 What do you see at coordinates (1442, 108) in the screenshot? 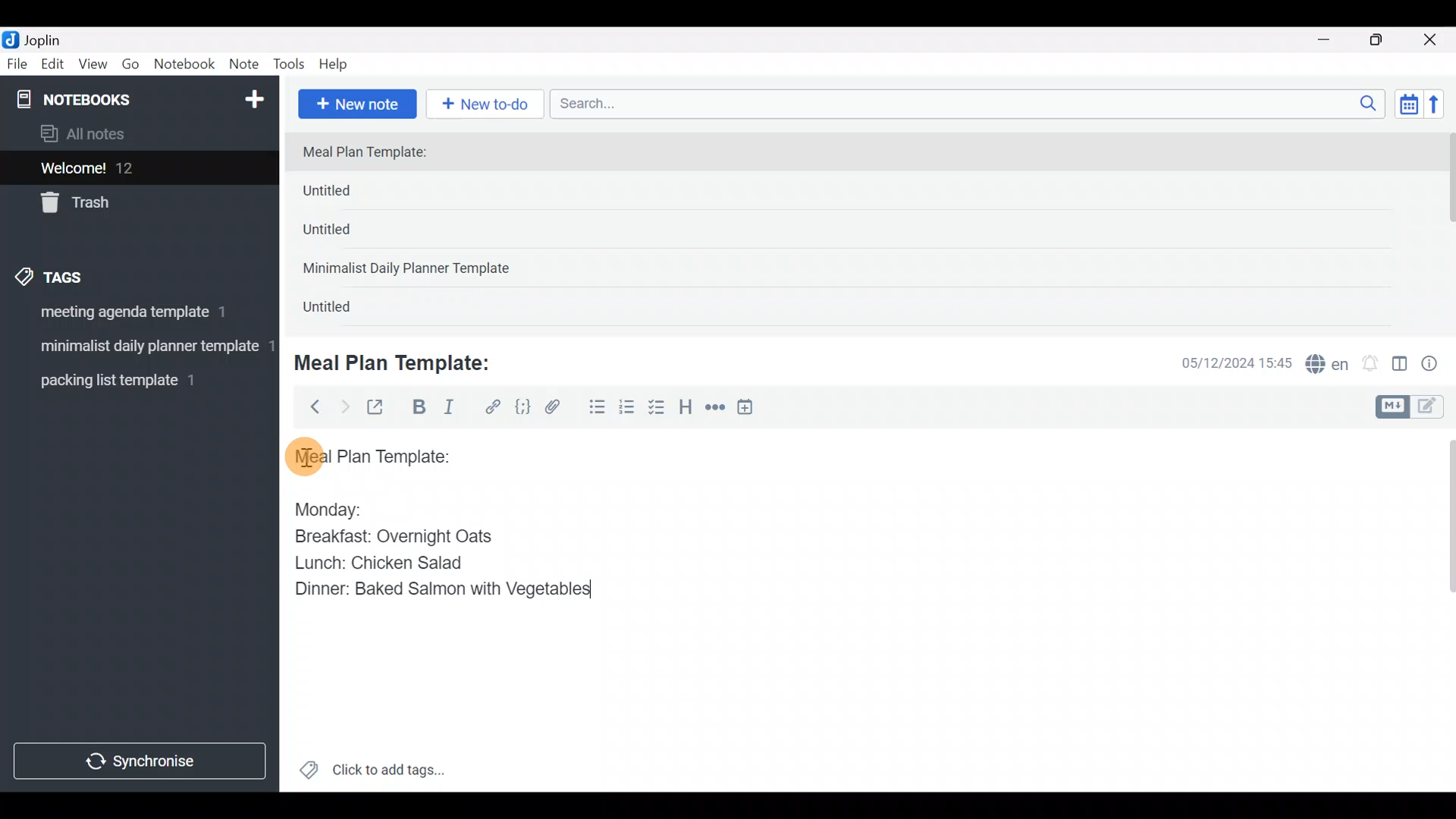
I see `Reverse sort` at bounding box center [1442, 108].